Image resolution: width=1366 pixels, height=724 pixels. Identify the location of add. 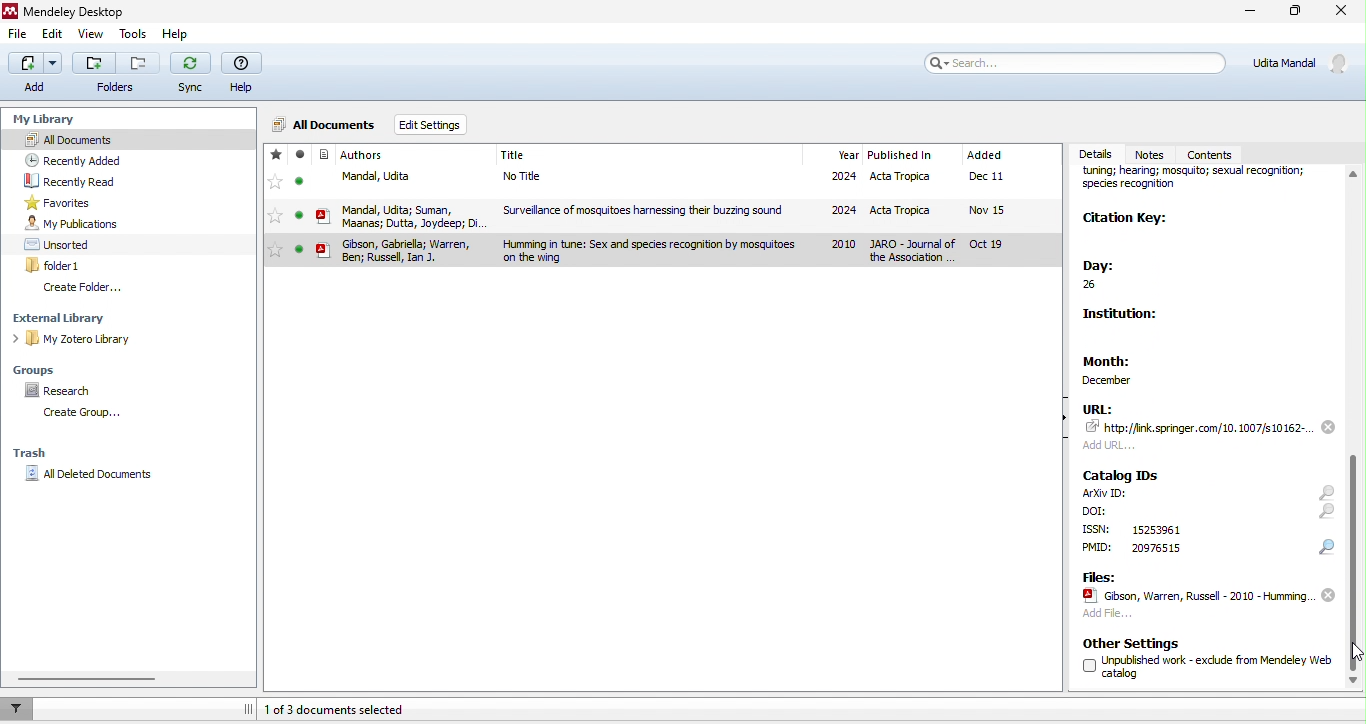
(33, 74).